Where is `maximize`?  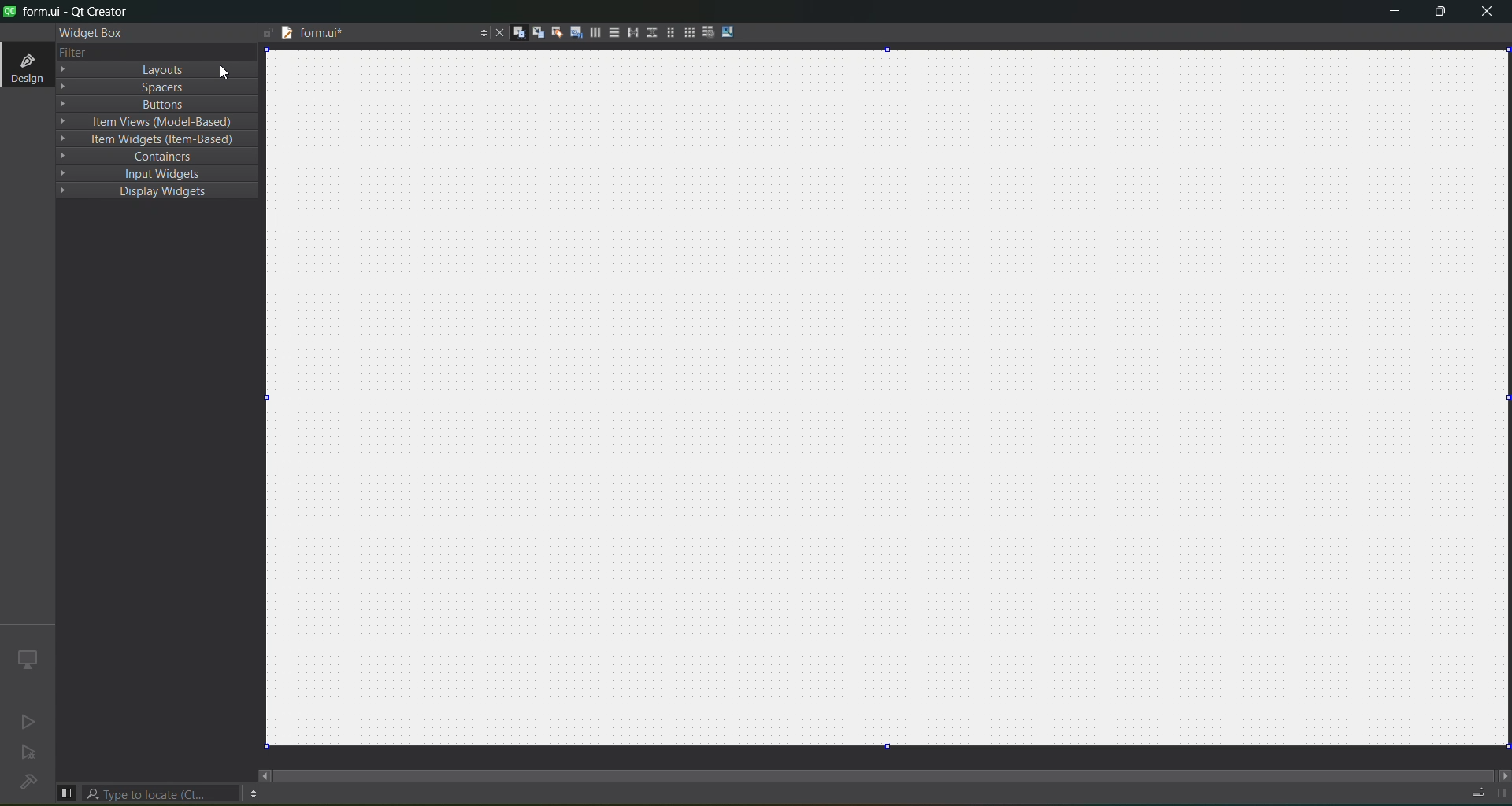
maximize is located at coordinates (1438, 13).